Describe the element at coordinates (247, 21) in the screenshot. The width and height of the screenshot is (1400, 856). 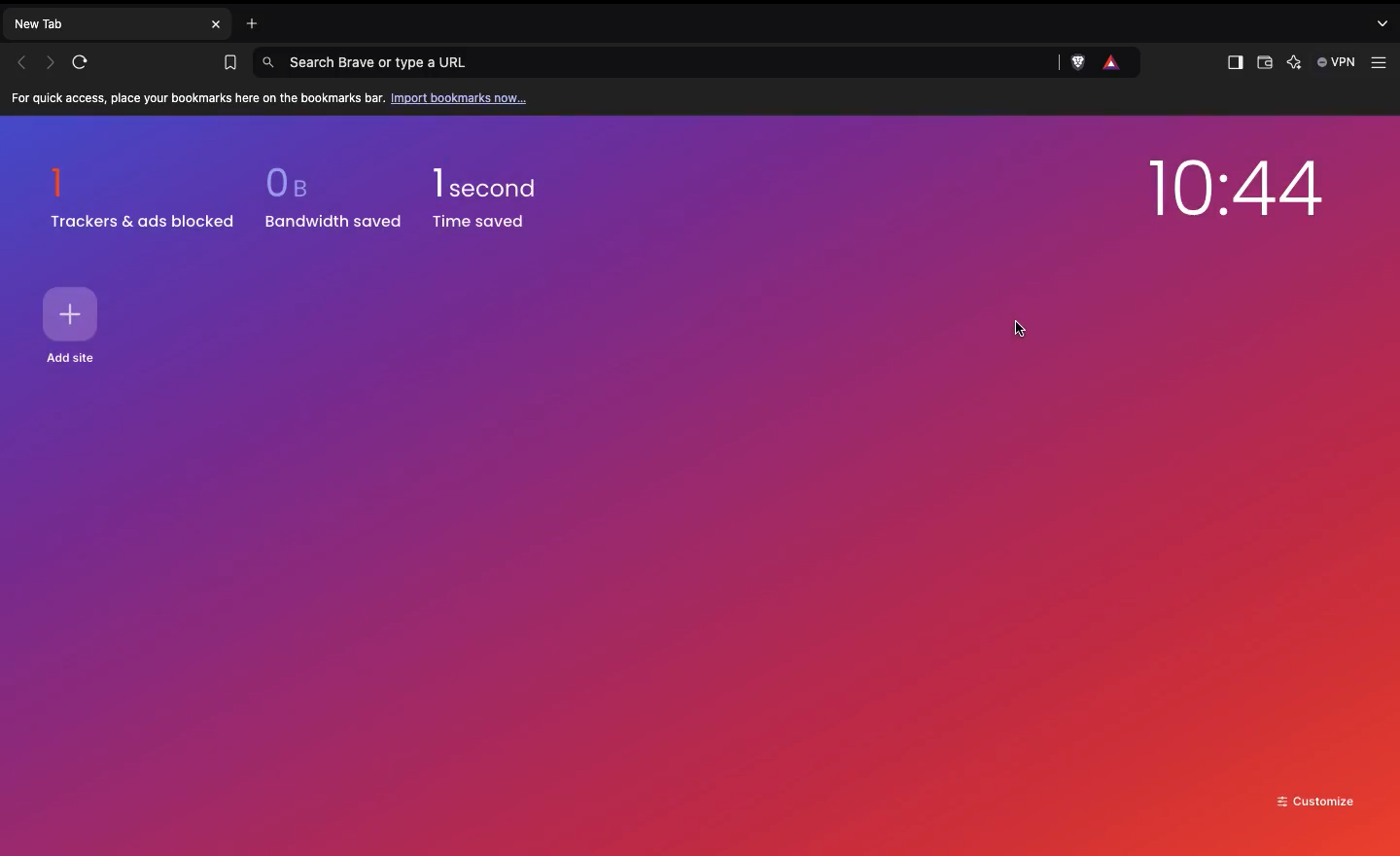
I see `Open new tab` at that location.